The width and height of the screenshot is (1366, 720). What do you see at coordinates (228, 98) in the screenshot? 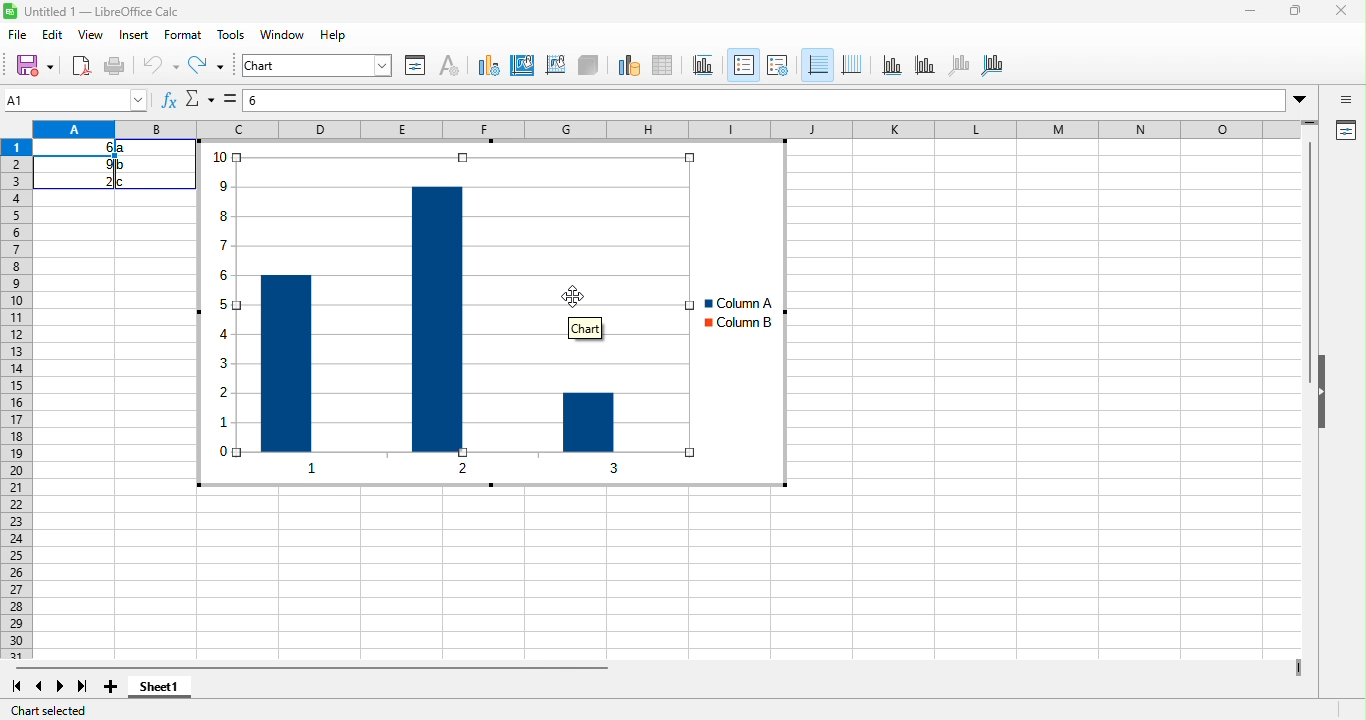
I see `select` at bounding box center [228, 98].